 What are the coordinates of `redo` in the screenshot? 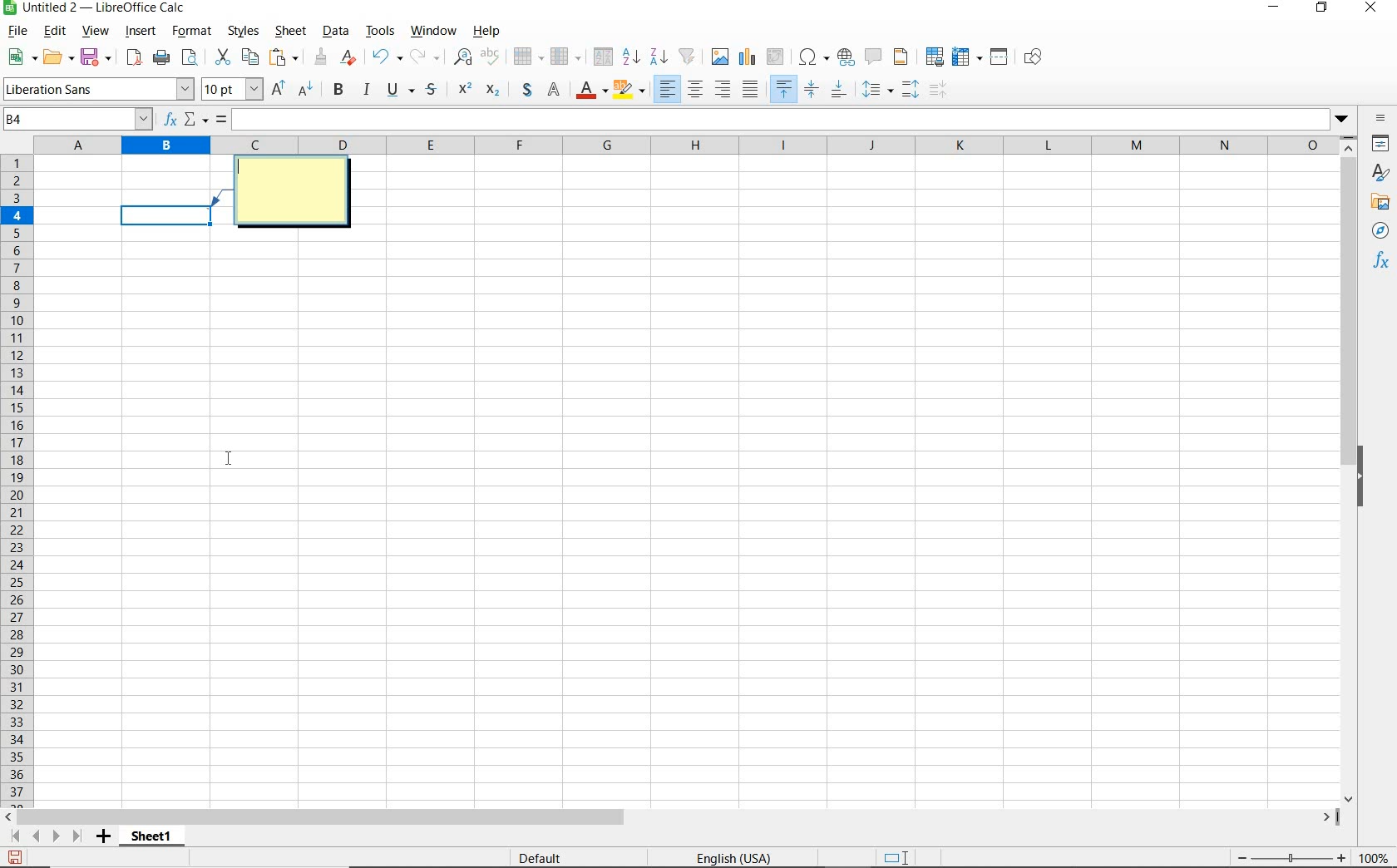 It's located at (423, 57).